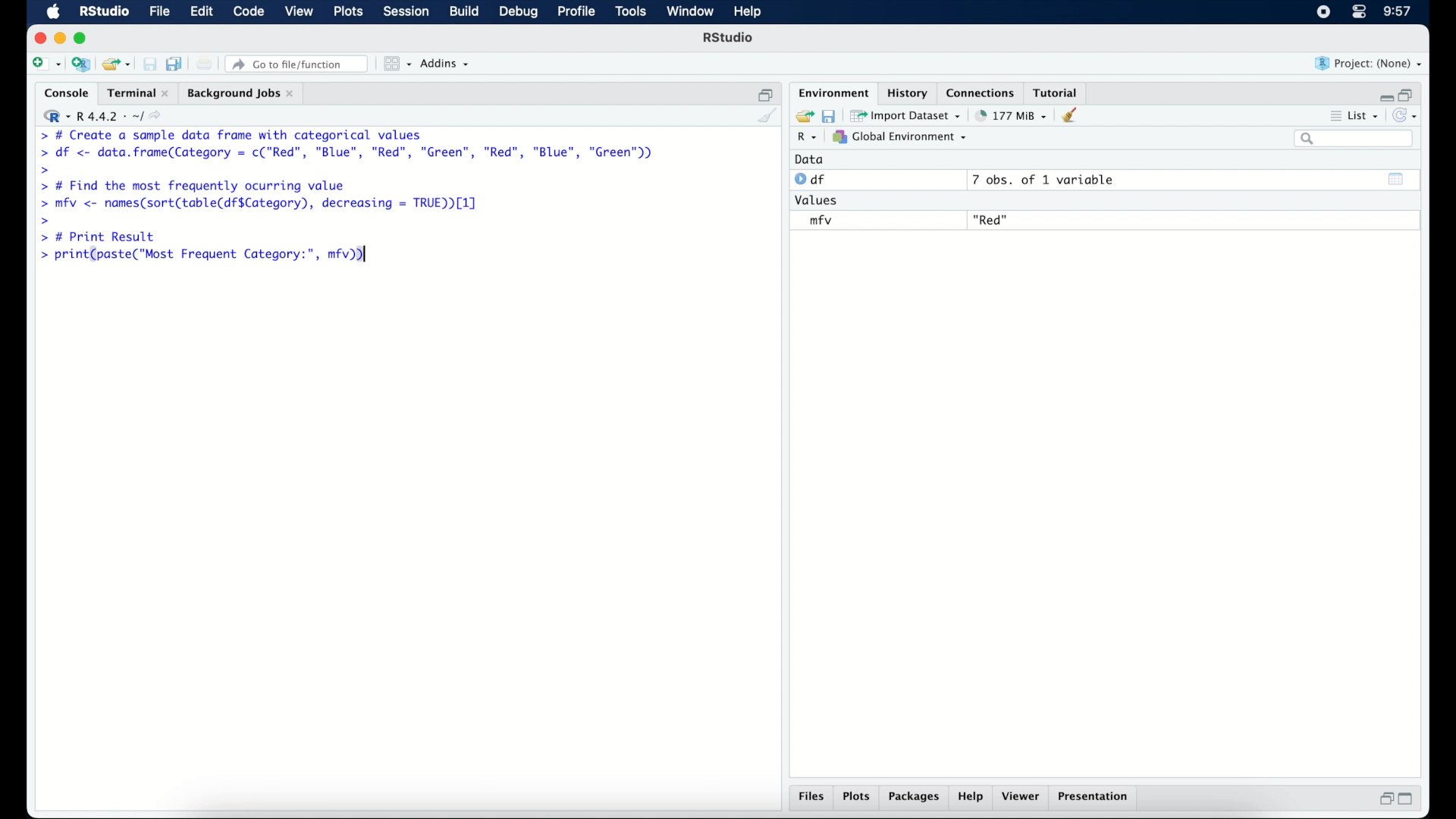  Describe the element at coordinates (210, 256) in the screenshot. I see `> print(paste("Most Frequent Category:", mfv))|` at that location.